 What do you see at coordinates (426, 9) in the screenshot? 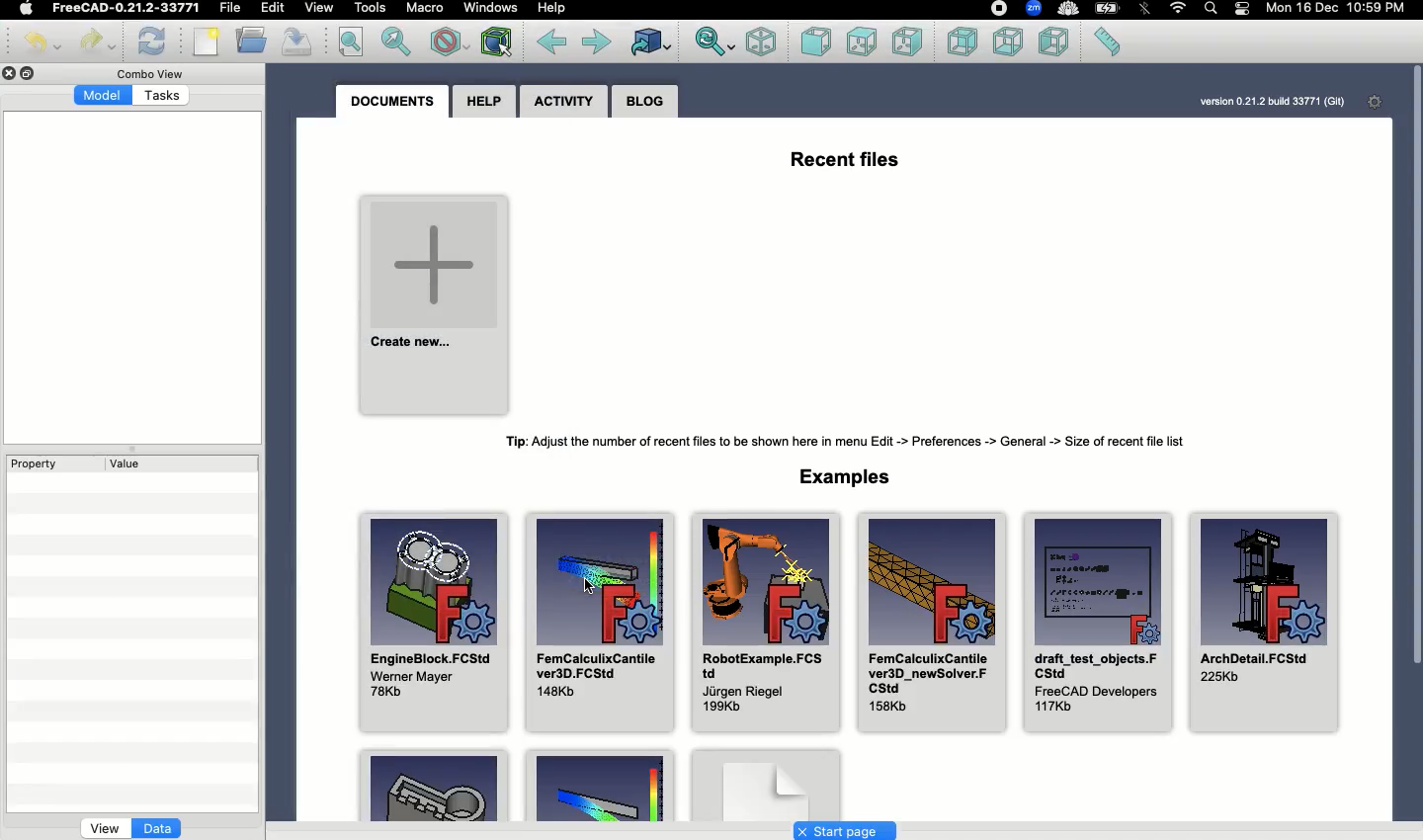
I see `Macro` at bounding box center [426, 9].